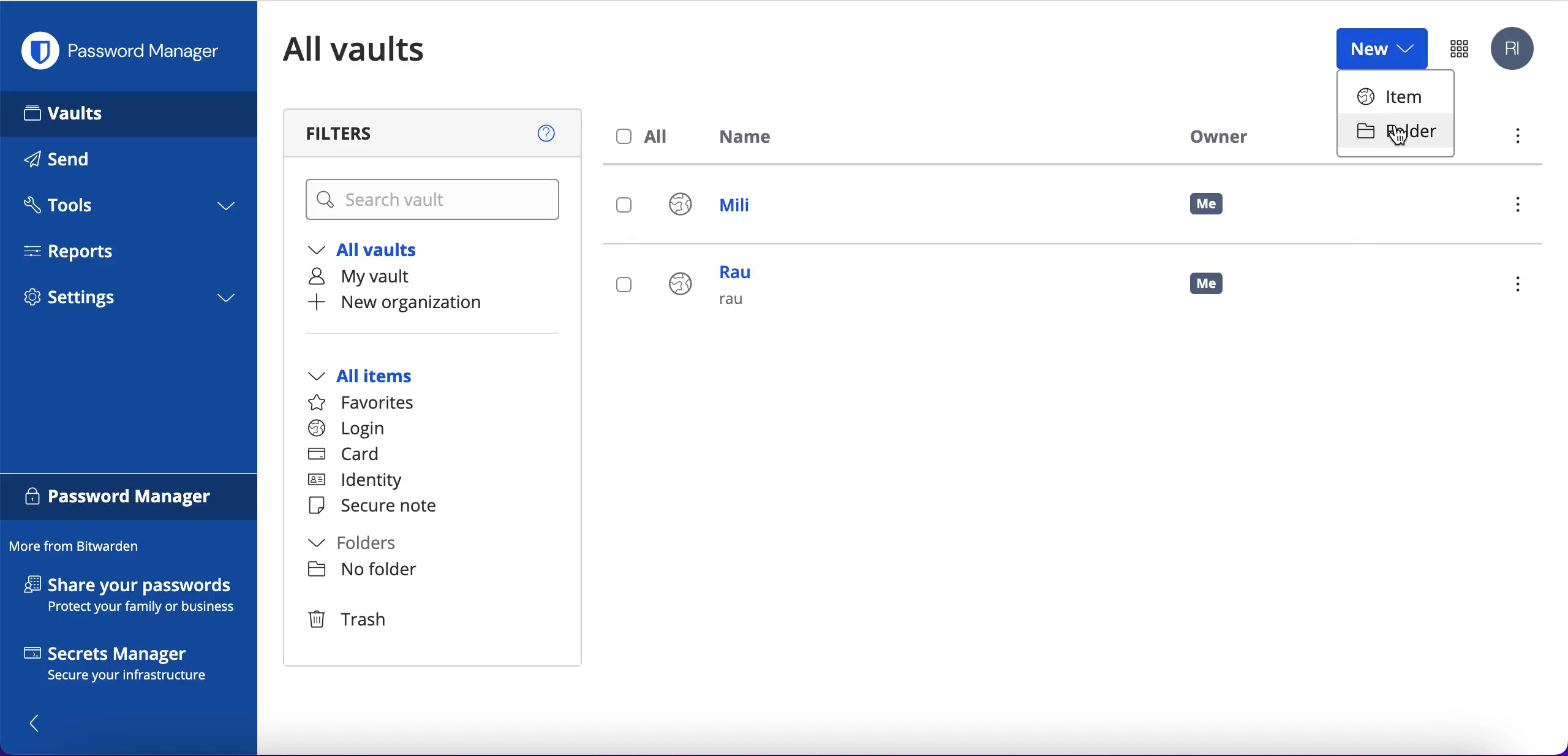 The image size is (1568, 756). I want to click on login, so click(347, 429).